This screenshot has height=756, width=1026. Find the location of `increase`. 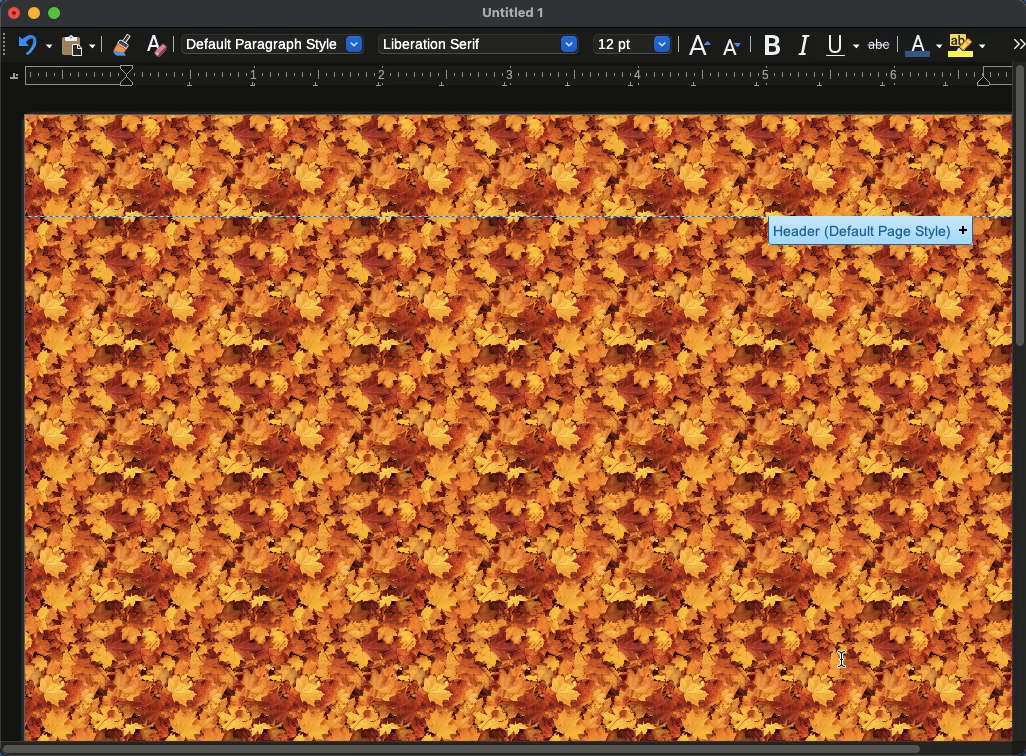

increase is located at coordinates (700, 45).